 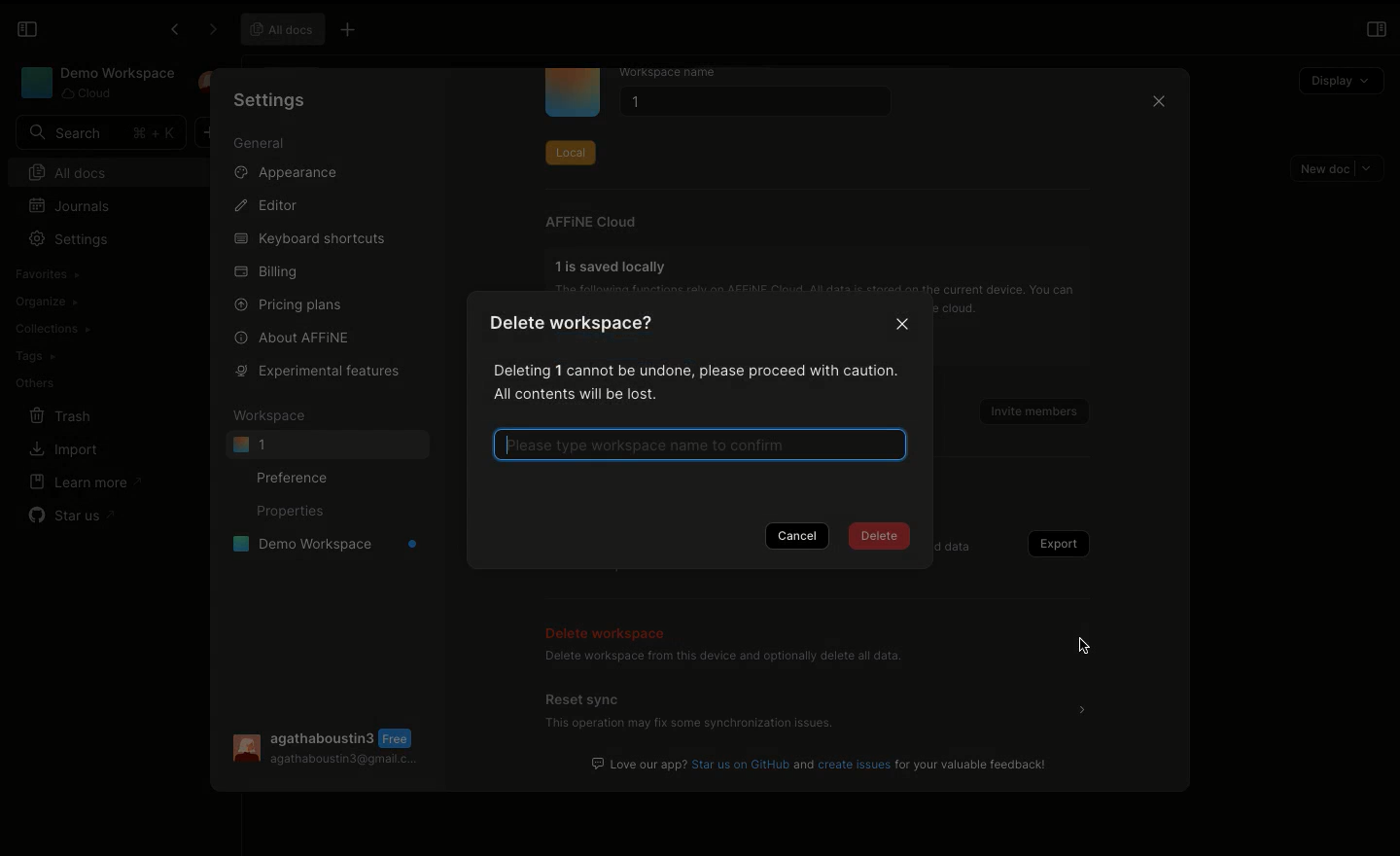 What do you see at coordinates (904, 326) in the screenshot?
I see `Close` at bounding box center [904, 326].